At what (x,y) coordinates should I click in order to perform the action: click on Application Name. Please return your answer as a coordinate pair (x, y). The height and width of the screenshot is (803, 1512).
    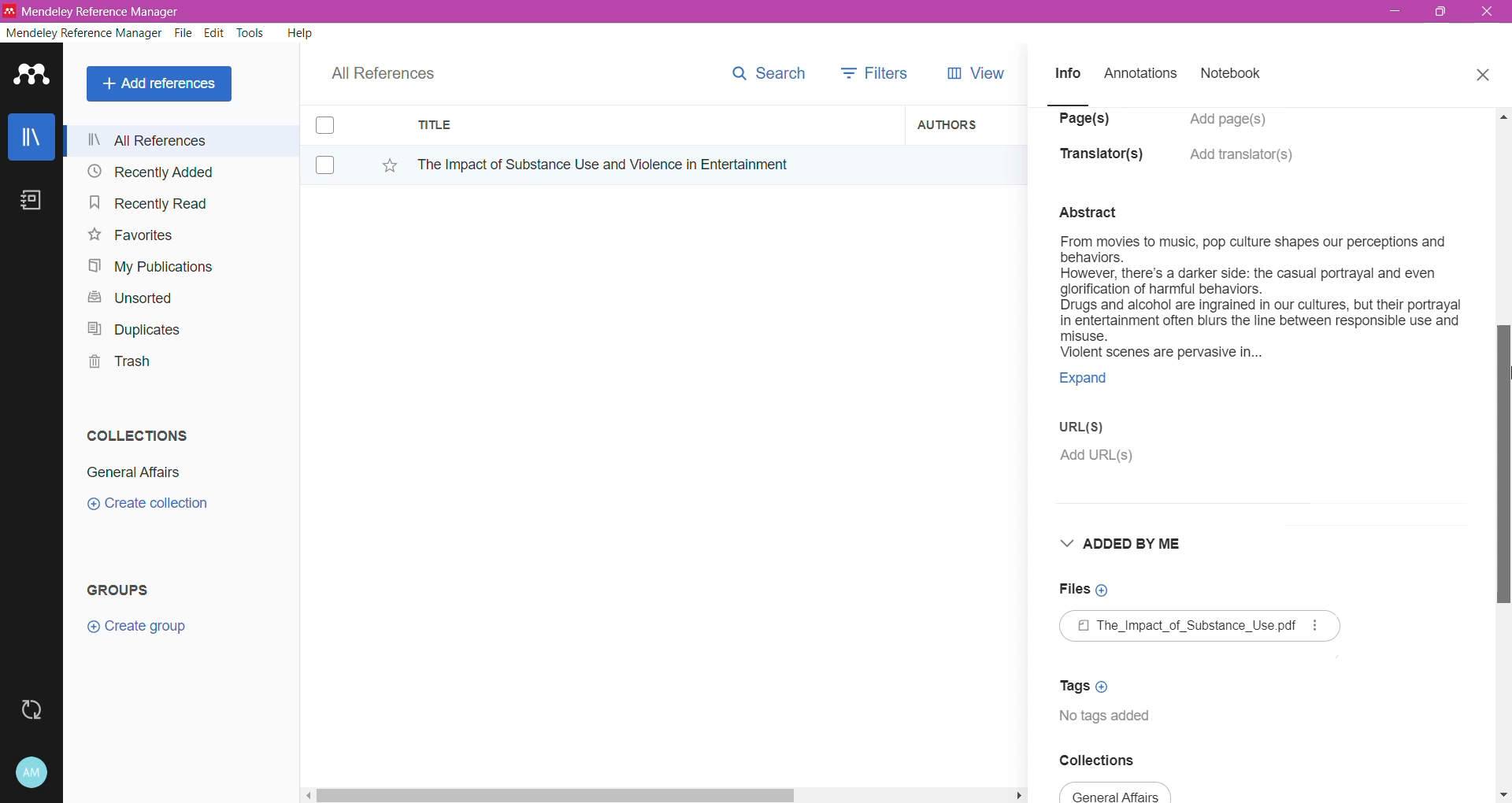
    Looking at the image, I should click on (94, 11).